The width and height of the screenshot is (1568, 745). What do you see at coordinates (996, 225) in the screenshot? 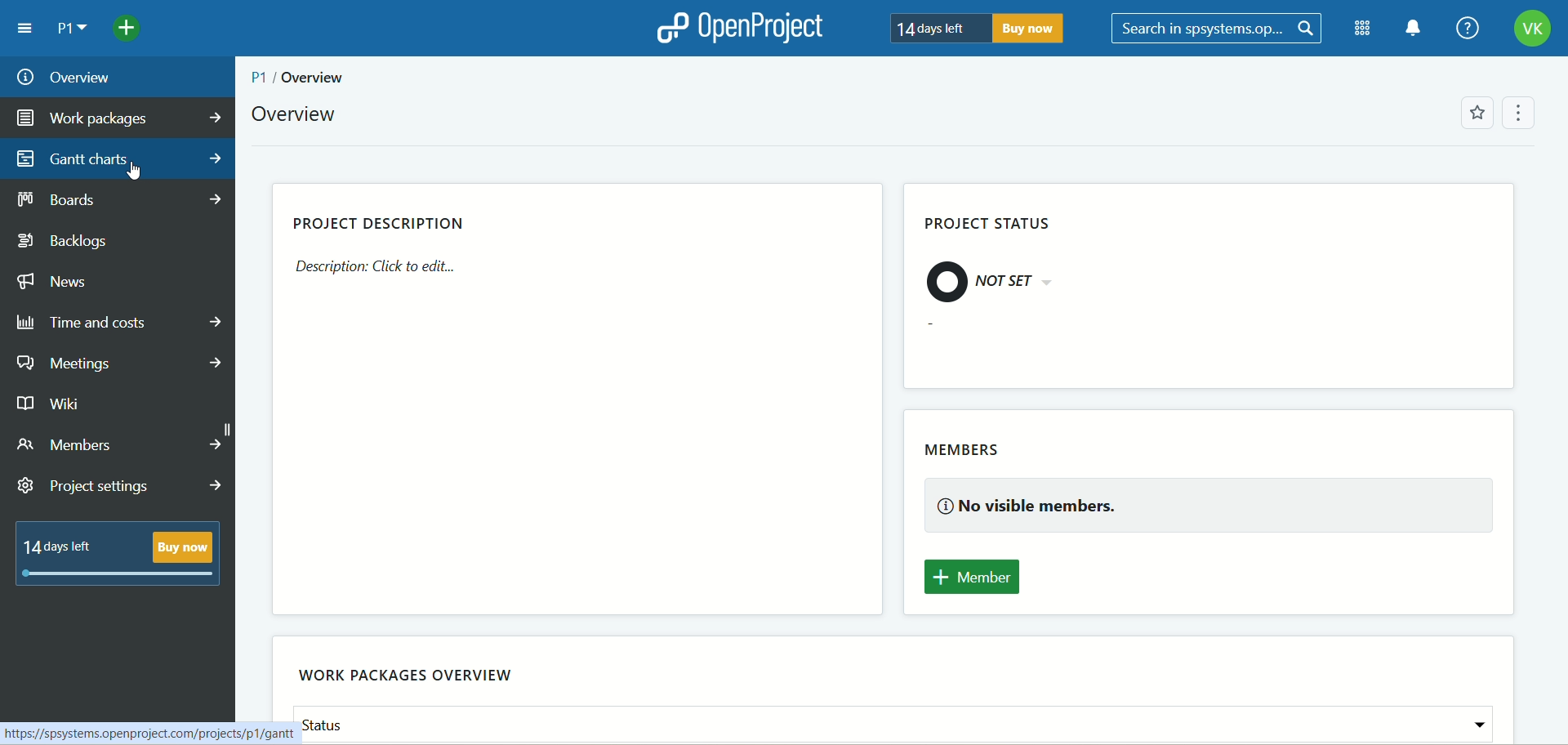
I see `project status` at bounding box center [996, 225].